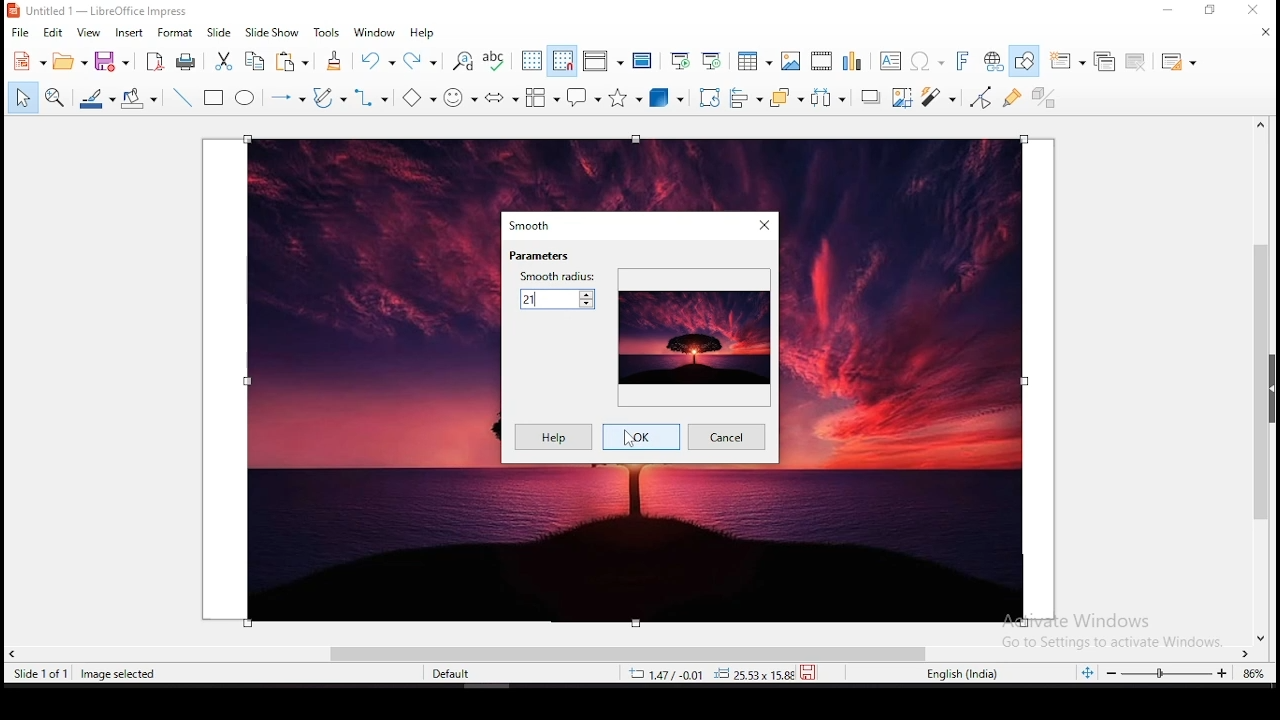 This screenshot has height=720, width=1280. Describe the element at coordinates (937, 97) in the screenshot. I see `filter` at that location.